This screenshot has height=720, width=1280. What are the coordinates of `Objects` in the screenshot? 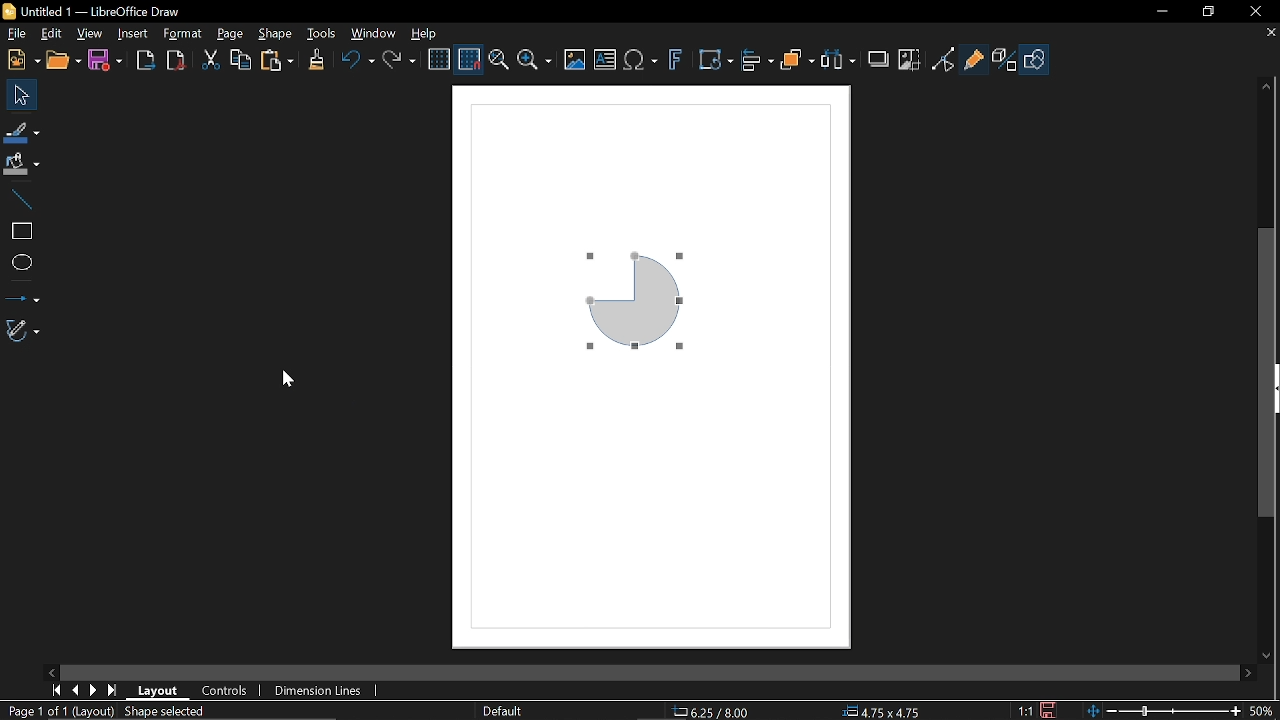 It's located at (797, 61).